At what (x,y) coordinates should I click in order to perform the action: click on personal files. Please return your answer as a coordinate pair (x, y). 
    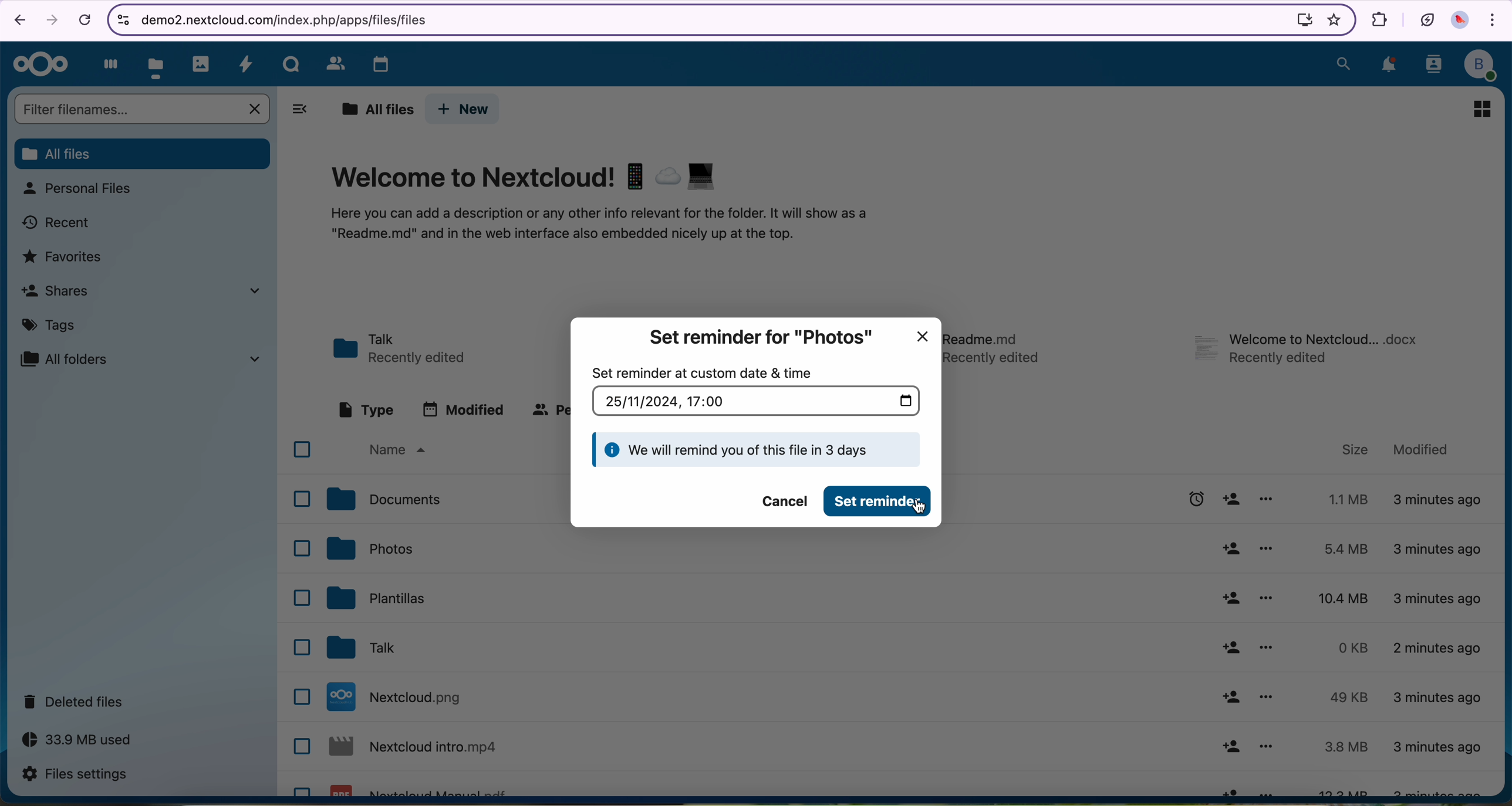
    Looking at the image, I should click on (82, 190).